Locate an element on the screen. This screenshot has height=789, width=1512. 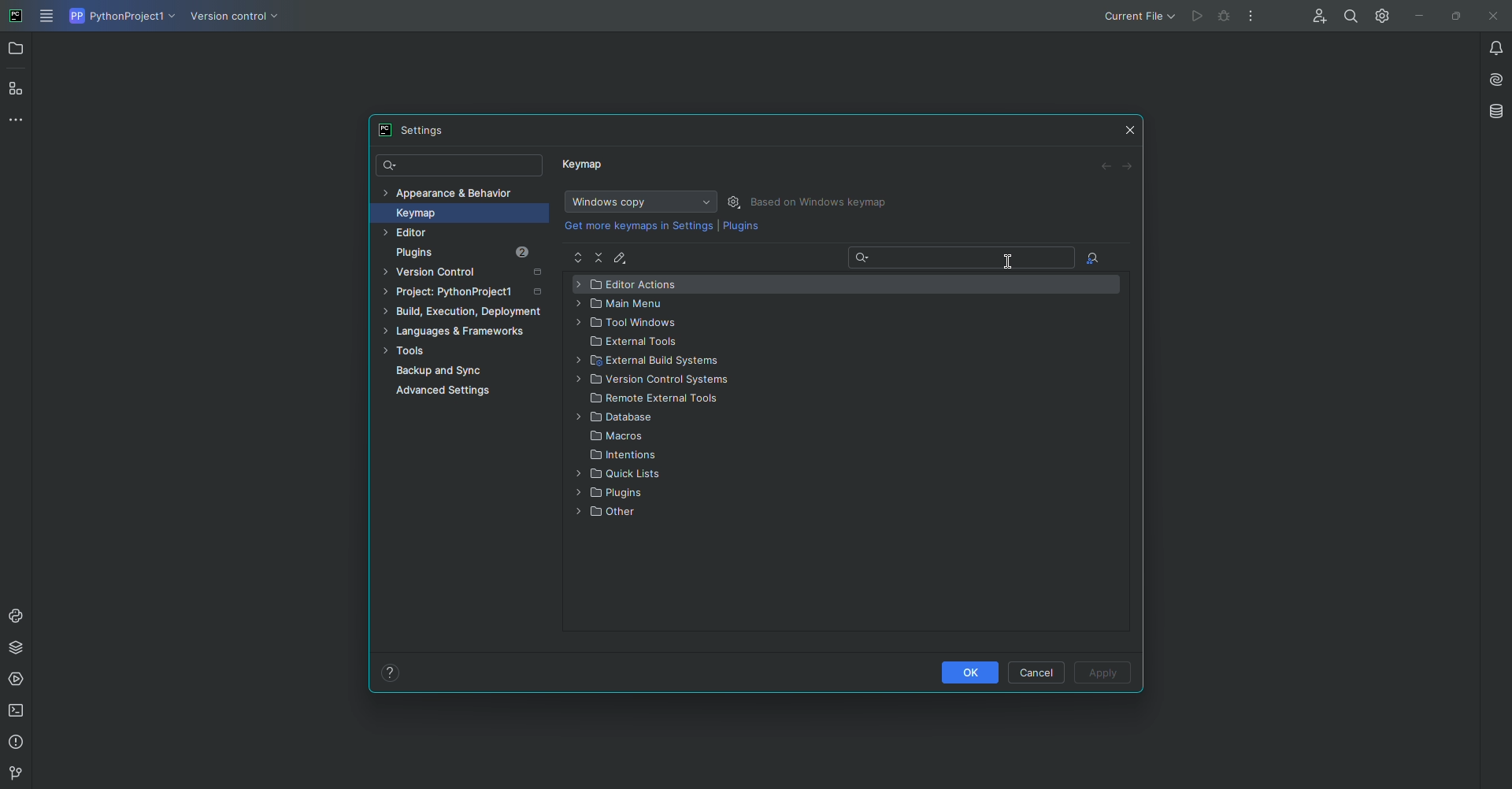
Edit is located at coordinates (623, 257).